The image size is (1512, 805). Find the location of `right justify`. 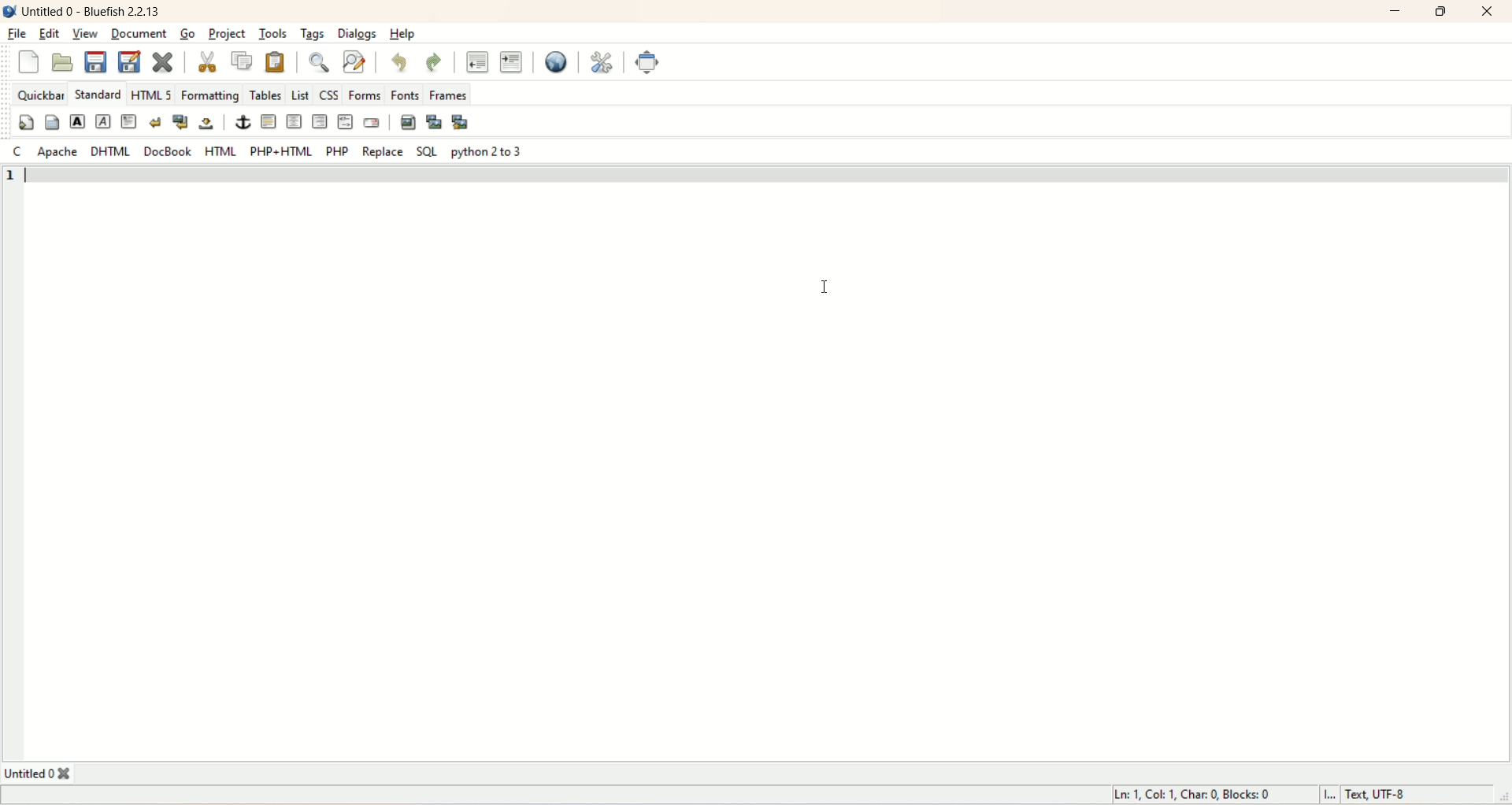

right justify is located at coordinates (318, 121).